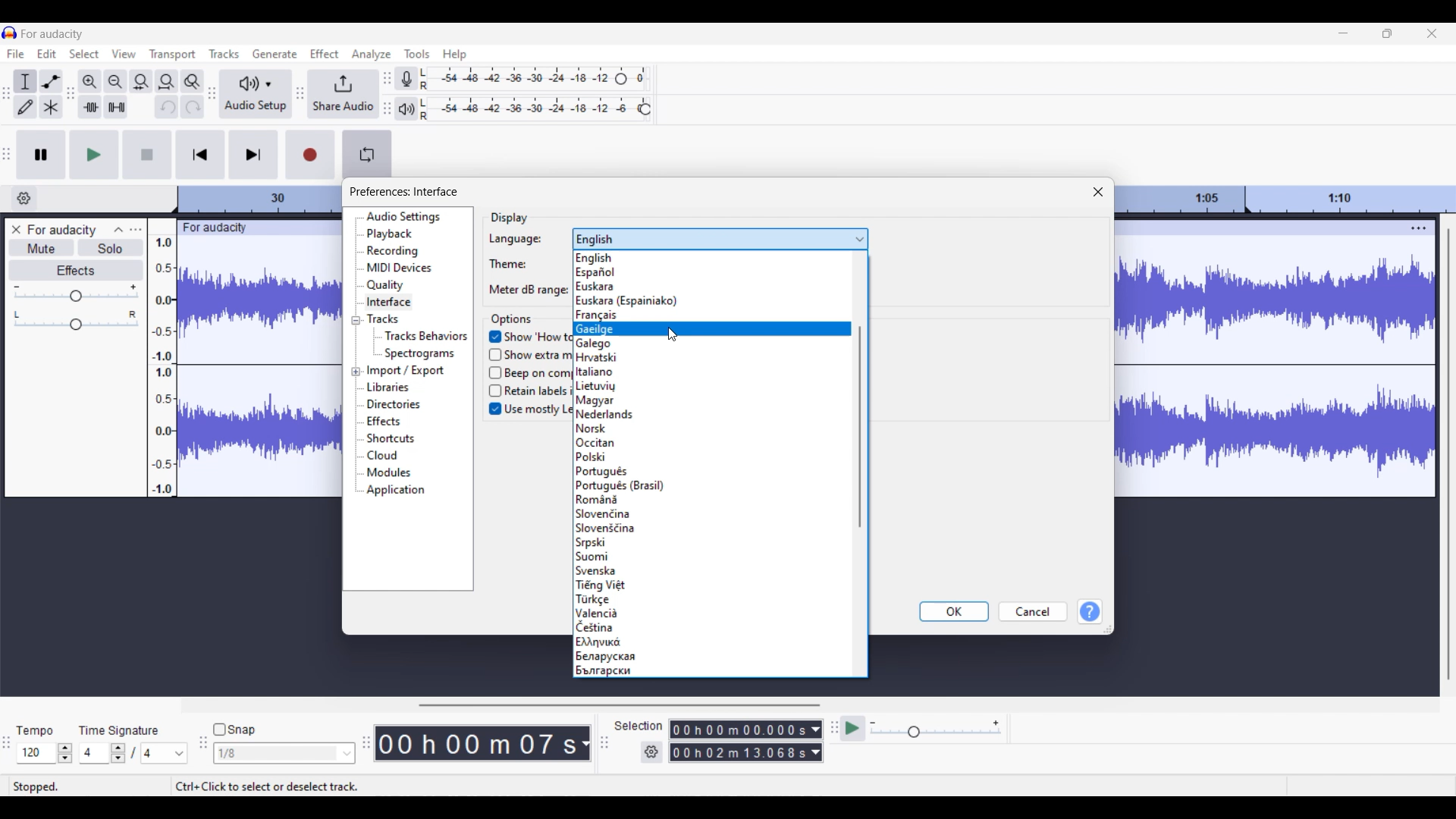 This screenshot has width=1456, height=819. What do you see at coordinates (254, 155) in the screenshot?
I see `Skip/Select to end` at bounding box center [254, 155].